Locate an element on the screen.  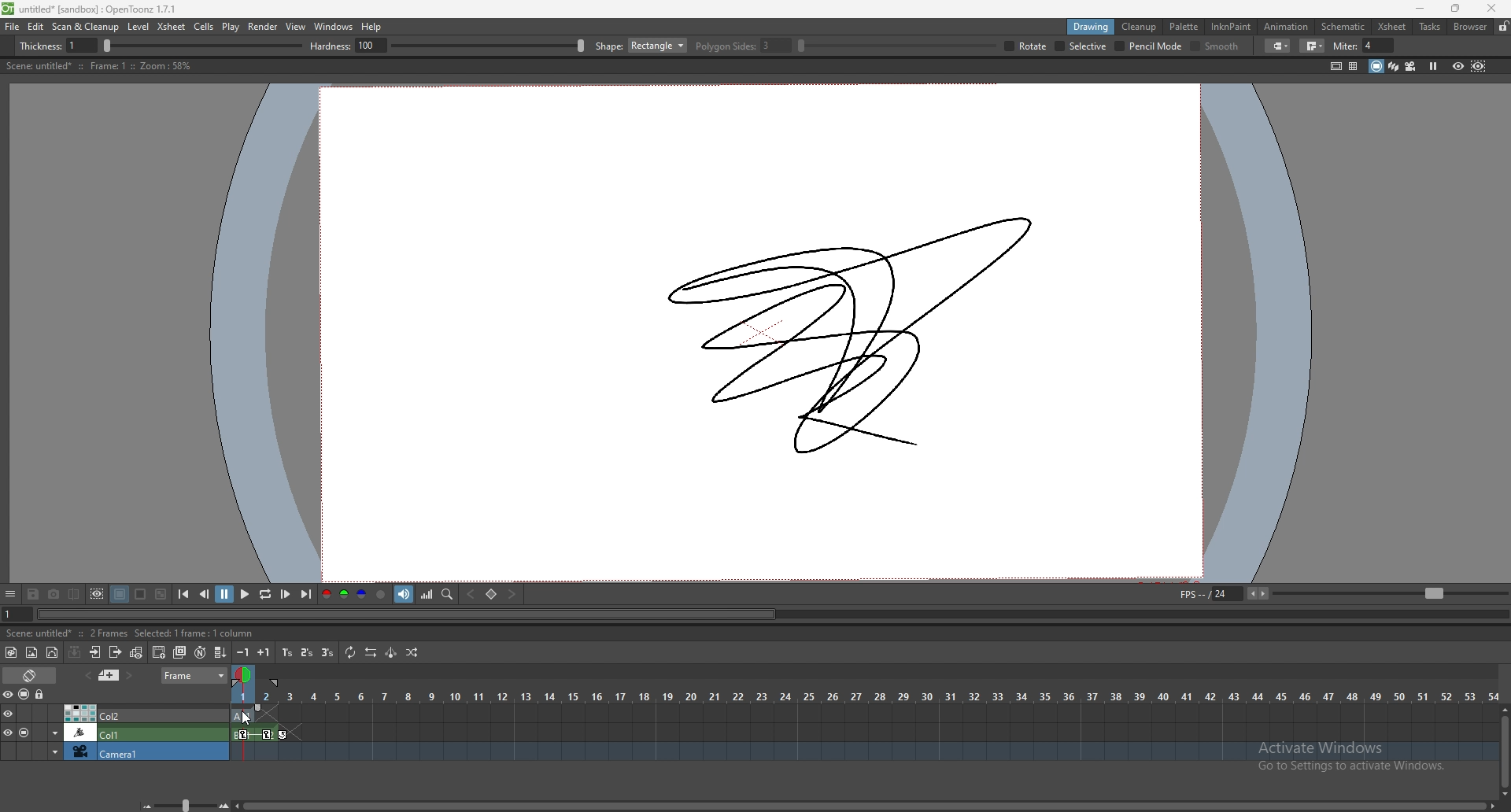
white background is located at coordinates (139, 594).